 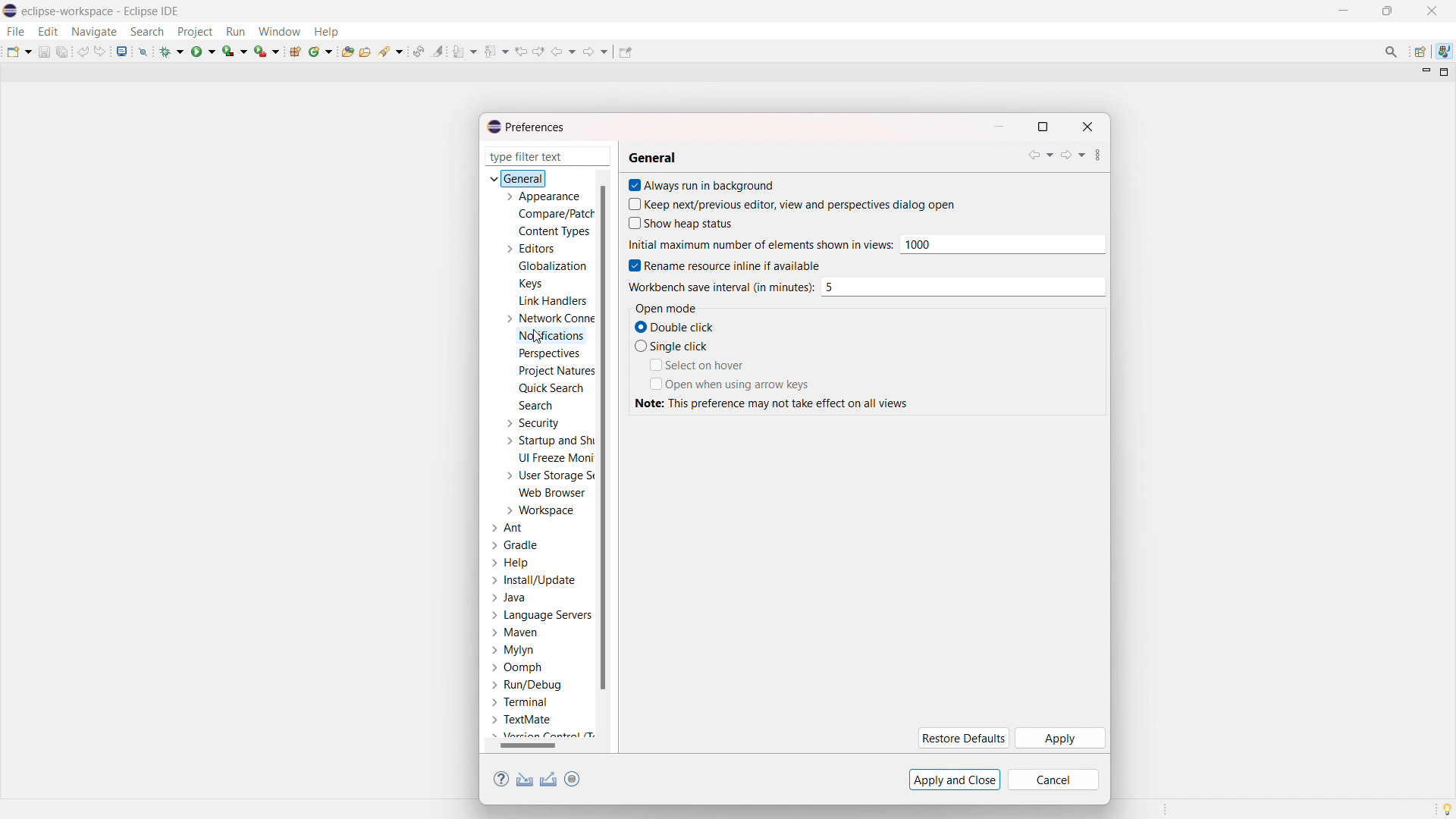 I want to click on maximize, so click(x=1387, y=11).